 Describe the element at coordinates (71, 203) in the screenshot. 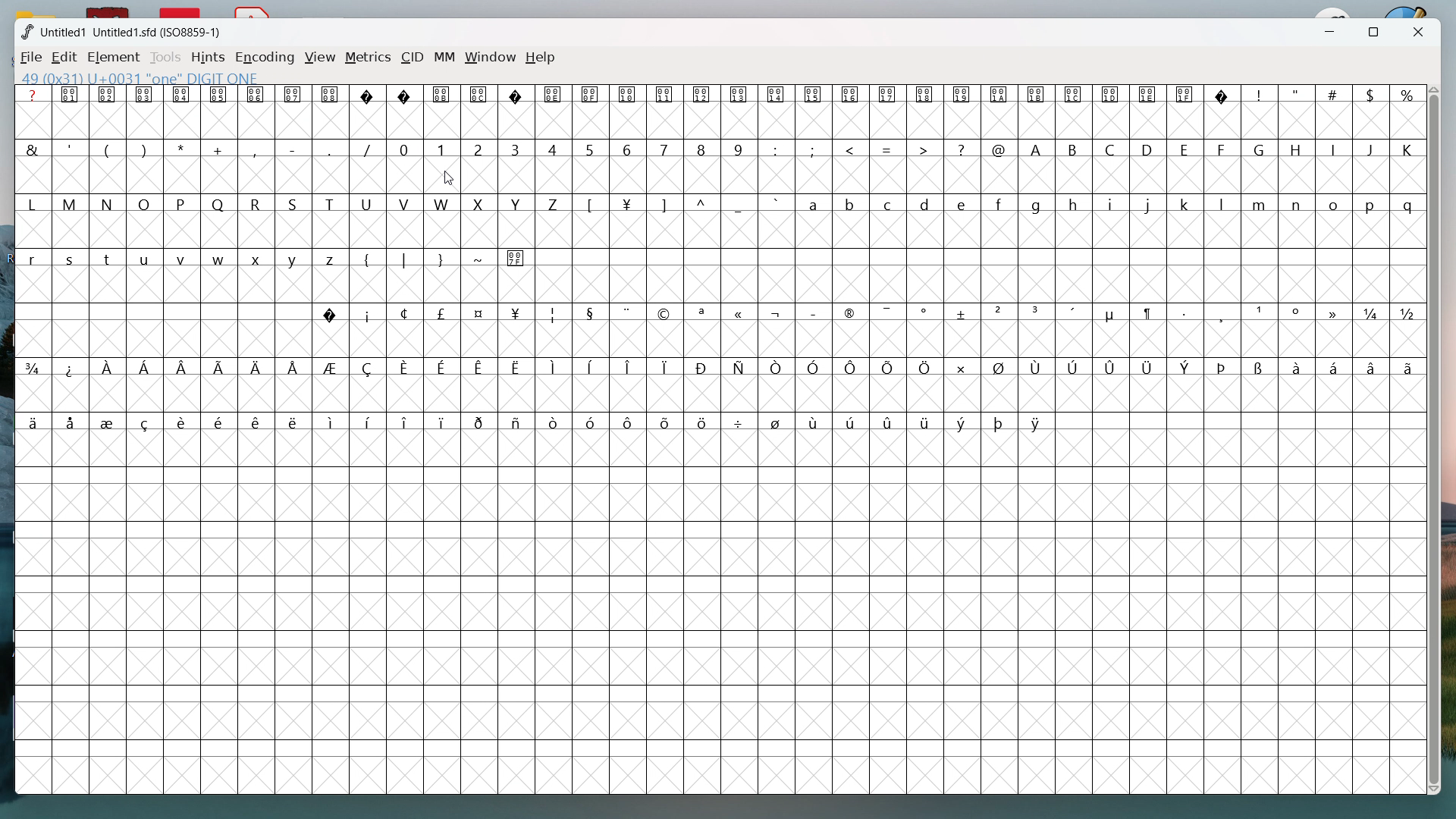

I see `M` at that location.